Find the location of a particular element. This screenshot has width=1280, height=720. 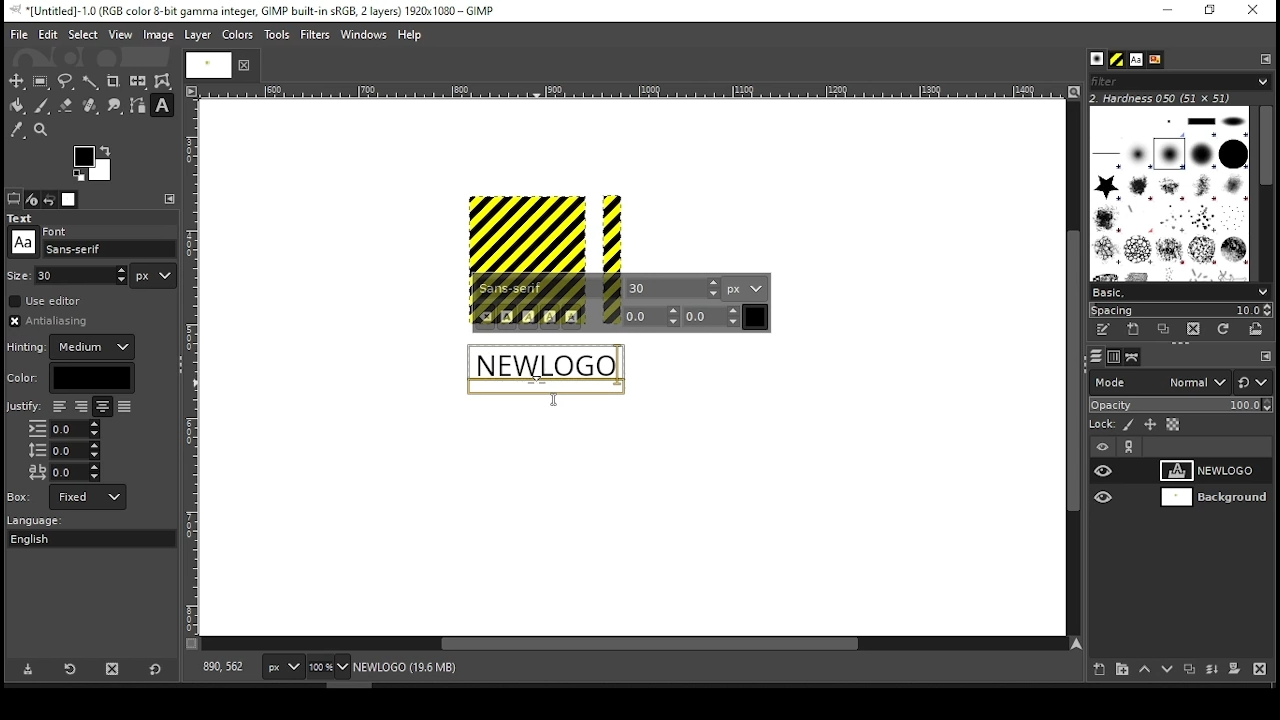

layer is located at coordinates (196, 35).